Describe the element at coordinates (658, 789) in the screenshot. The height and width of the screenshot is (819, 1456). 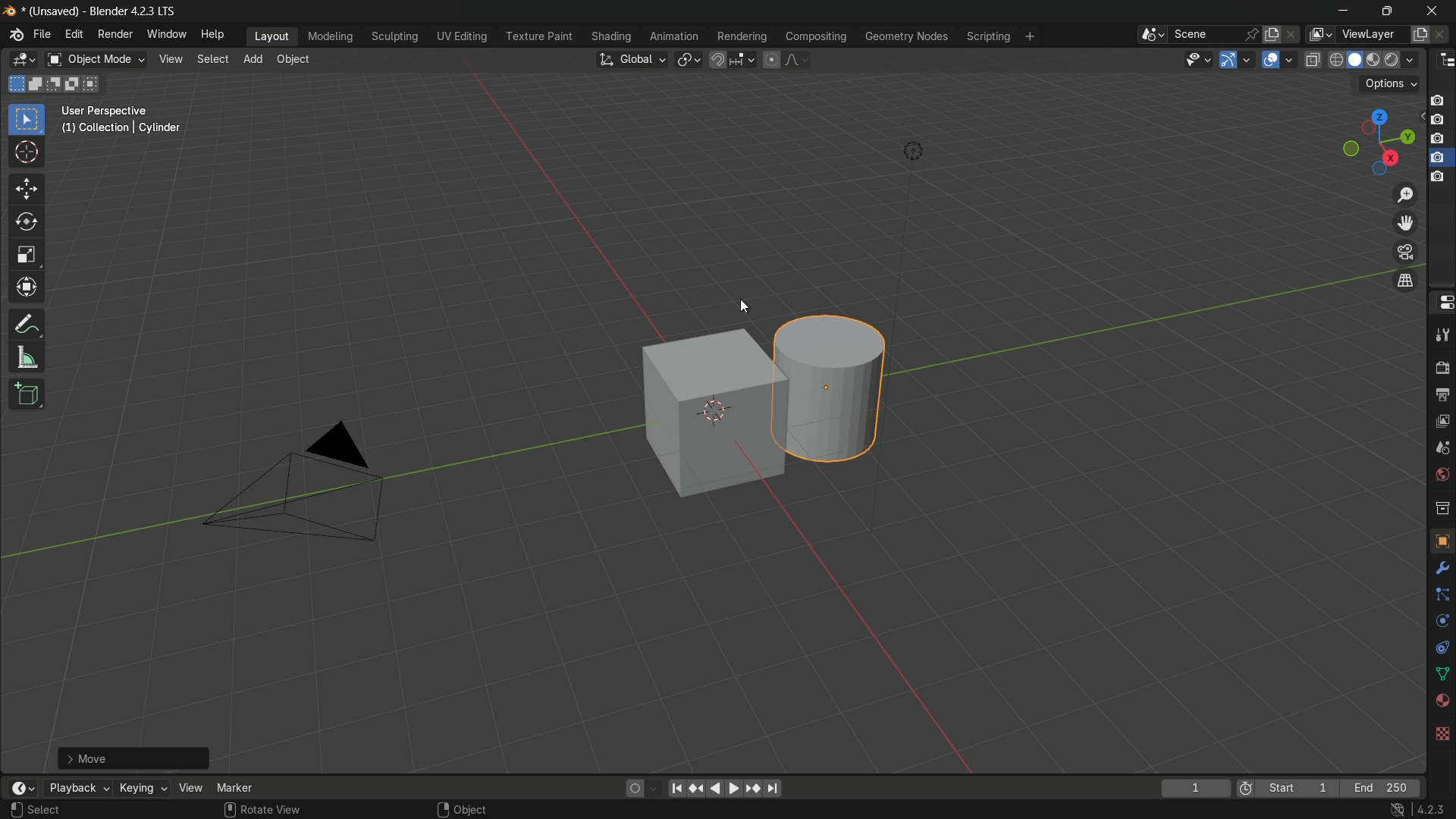
I see `auto keyframing` at that location.